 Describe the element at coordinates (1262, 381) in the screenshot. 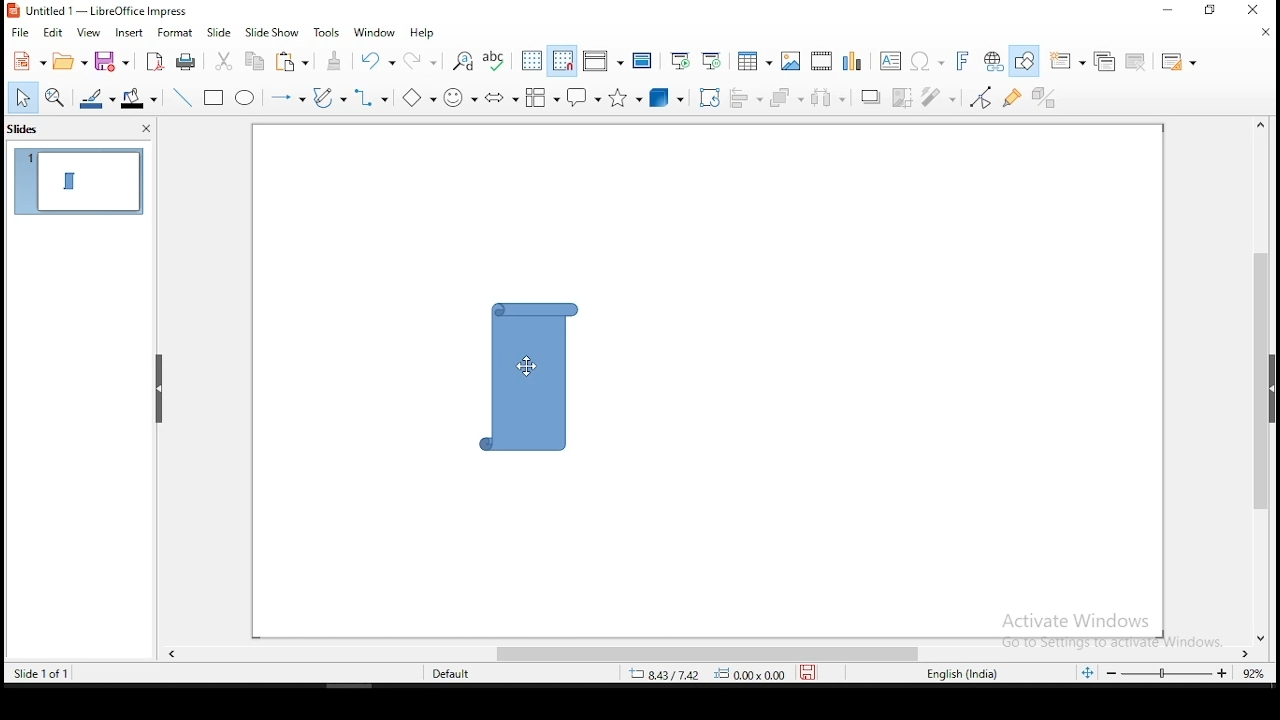

I see `scroll bar` at that location.